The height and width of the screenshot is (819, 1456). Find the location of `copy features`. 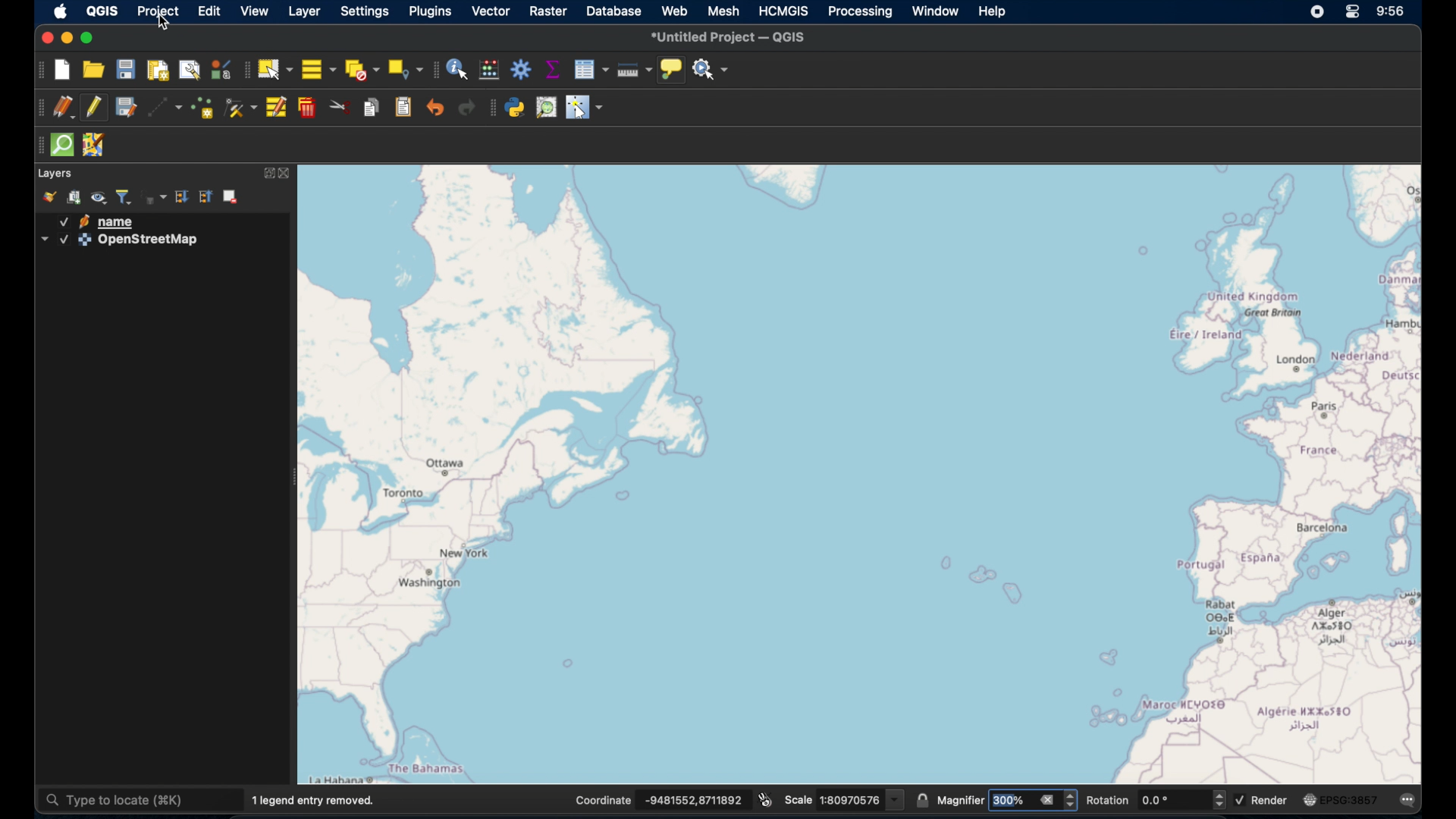

copy features is located at coordinates (372, 107).